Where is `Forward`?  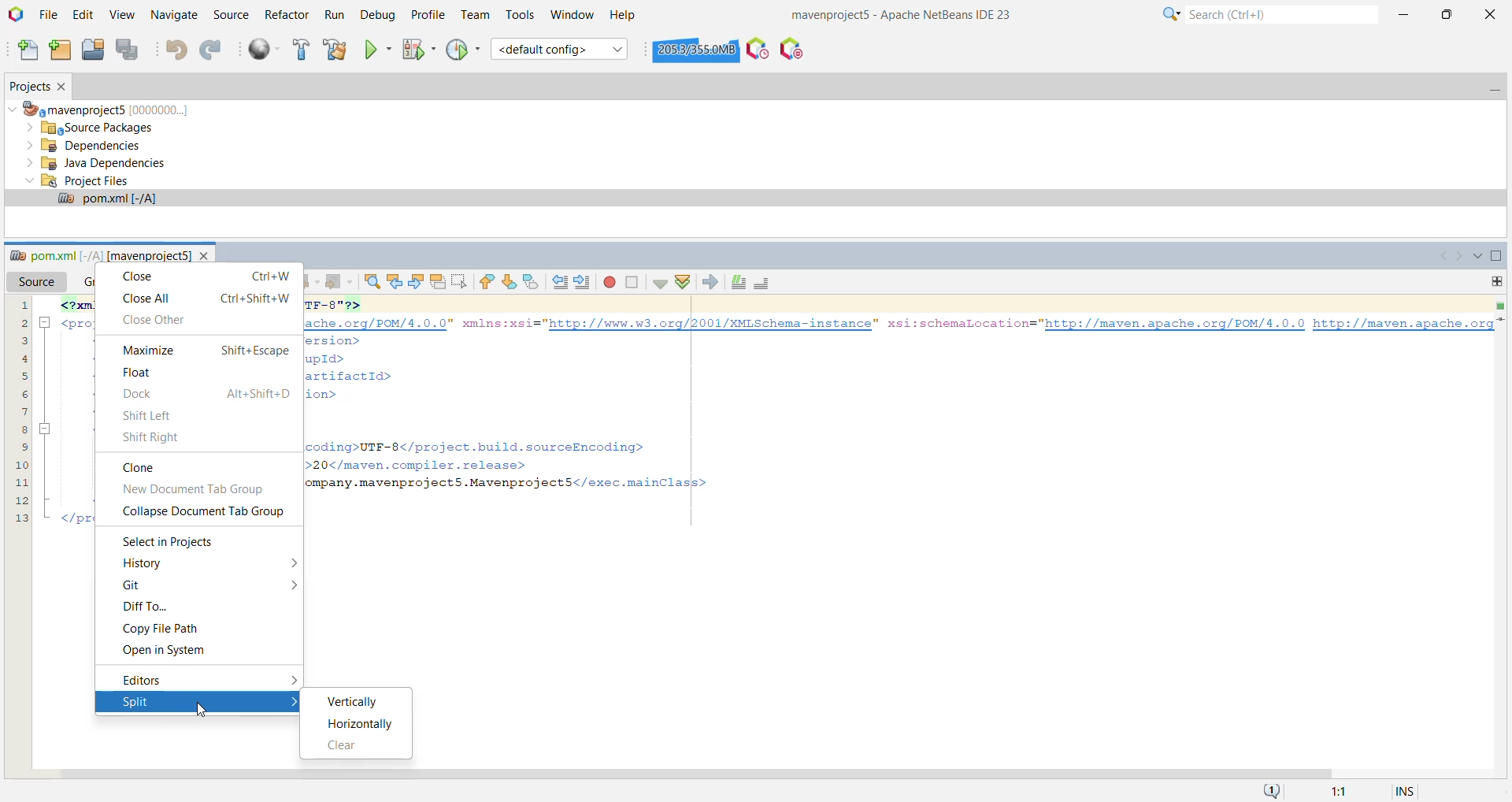 Forward is located at coordinates (339, 282).